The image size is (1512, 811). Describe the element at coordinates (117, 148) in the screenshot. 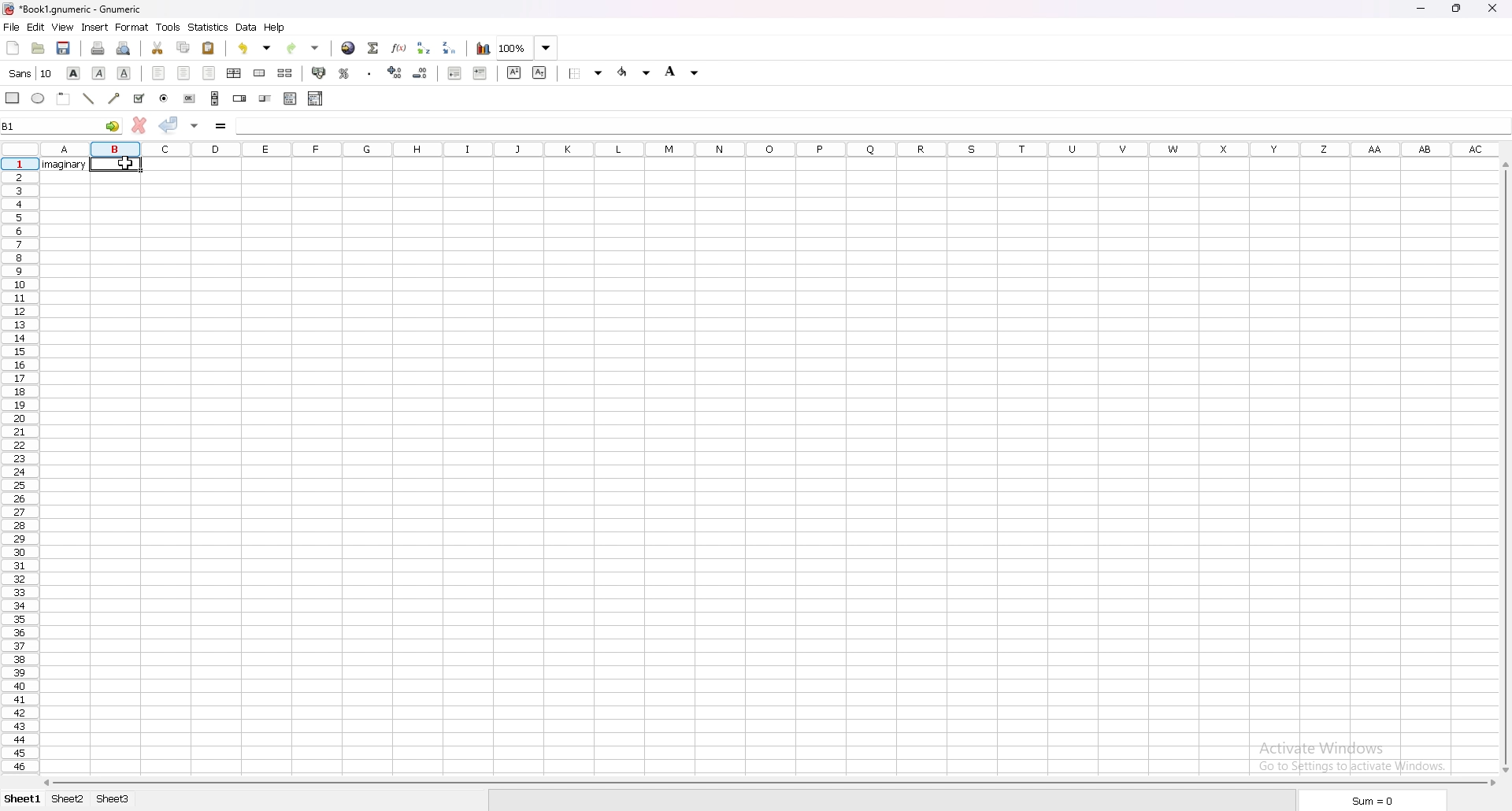

I see `selected cell column` at that location.